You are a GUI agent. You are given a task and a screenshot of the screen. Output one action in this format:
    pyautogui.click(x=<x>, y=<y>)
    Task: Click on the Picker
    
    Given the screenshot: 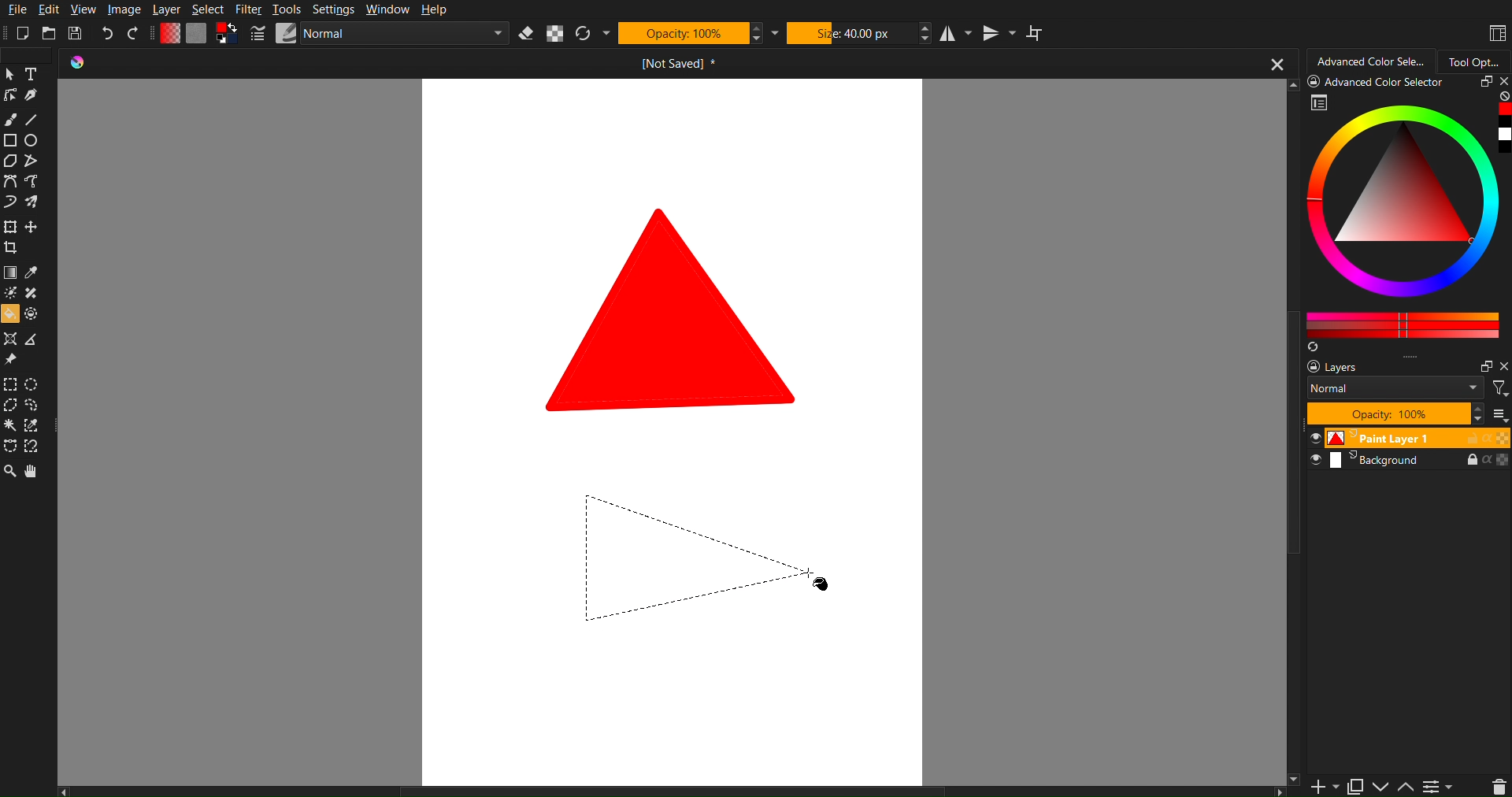 What is the action you would take?
    pyautogui.click(x=9, y=183)
    